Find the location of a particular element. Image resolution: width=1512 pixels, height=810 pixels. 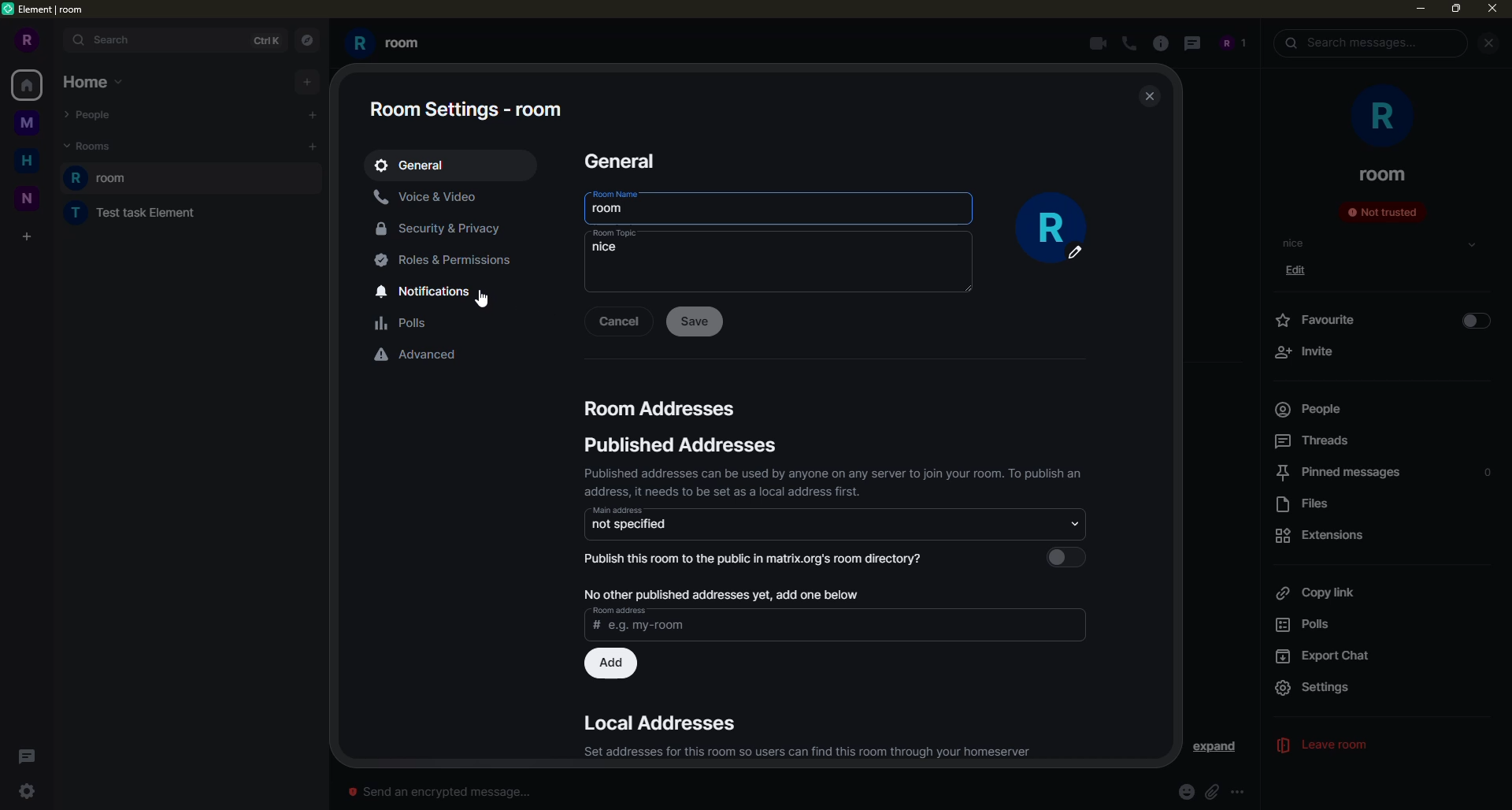

close is located at coordinates (1488, 43).